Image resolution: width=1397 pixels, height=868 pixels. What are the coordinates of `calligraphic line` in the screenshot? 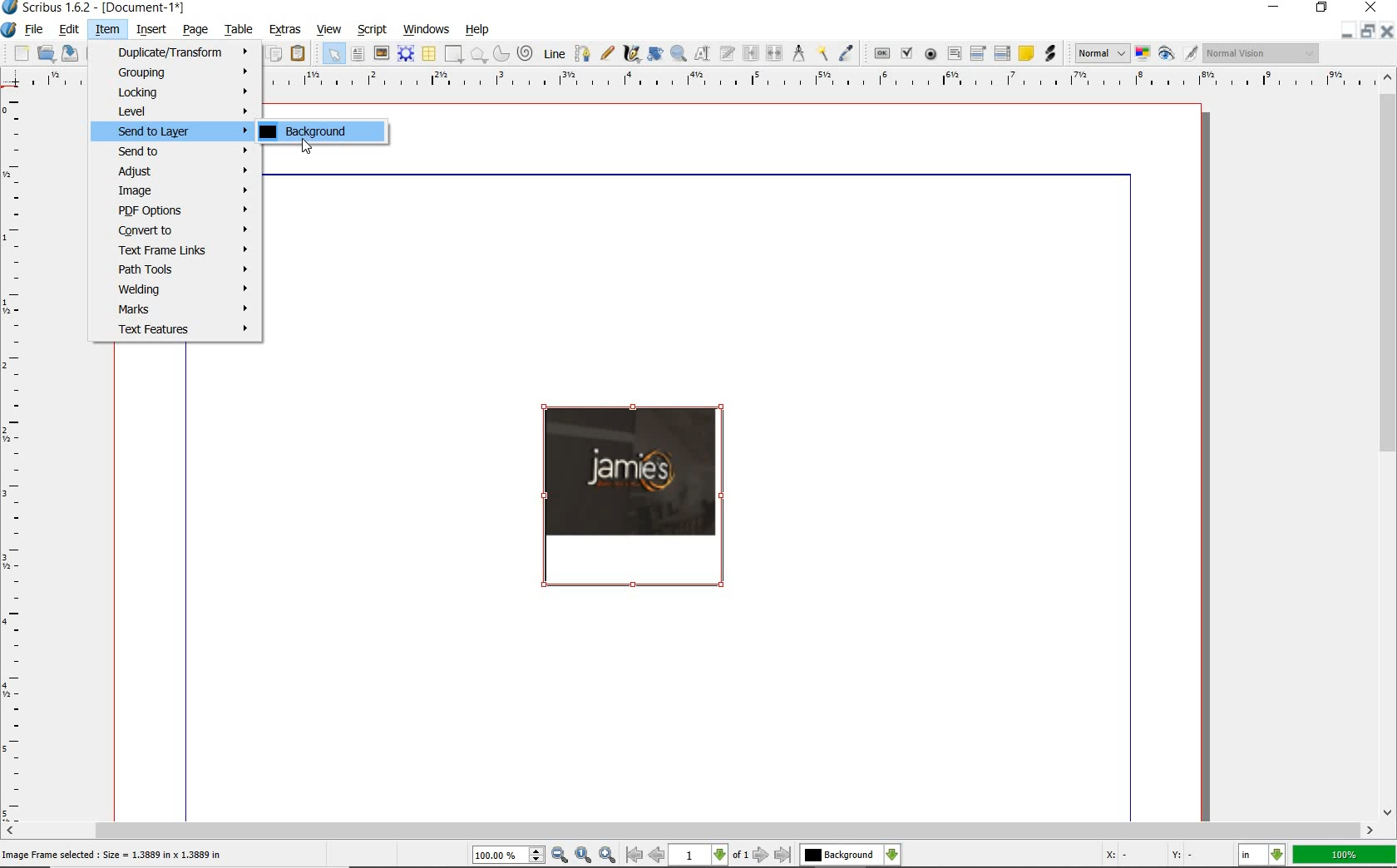 It's located at (631, 55).